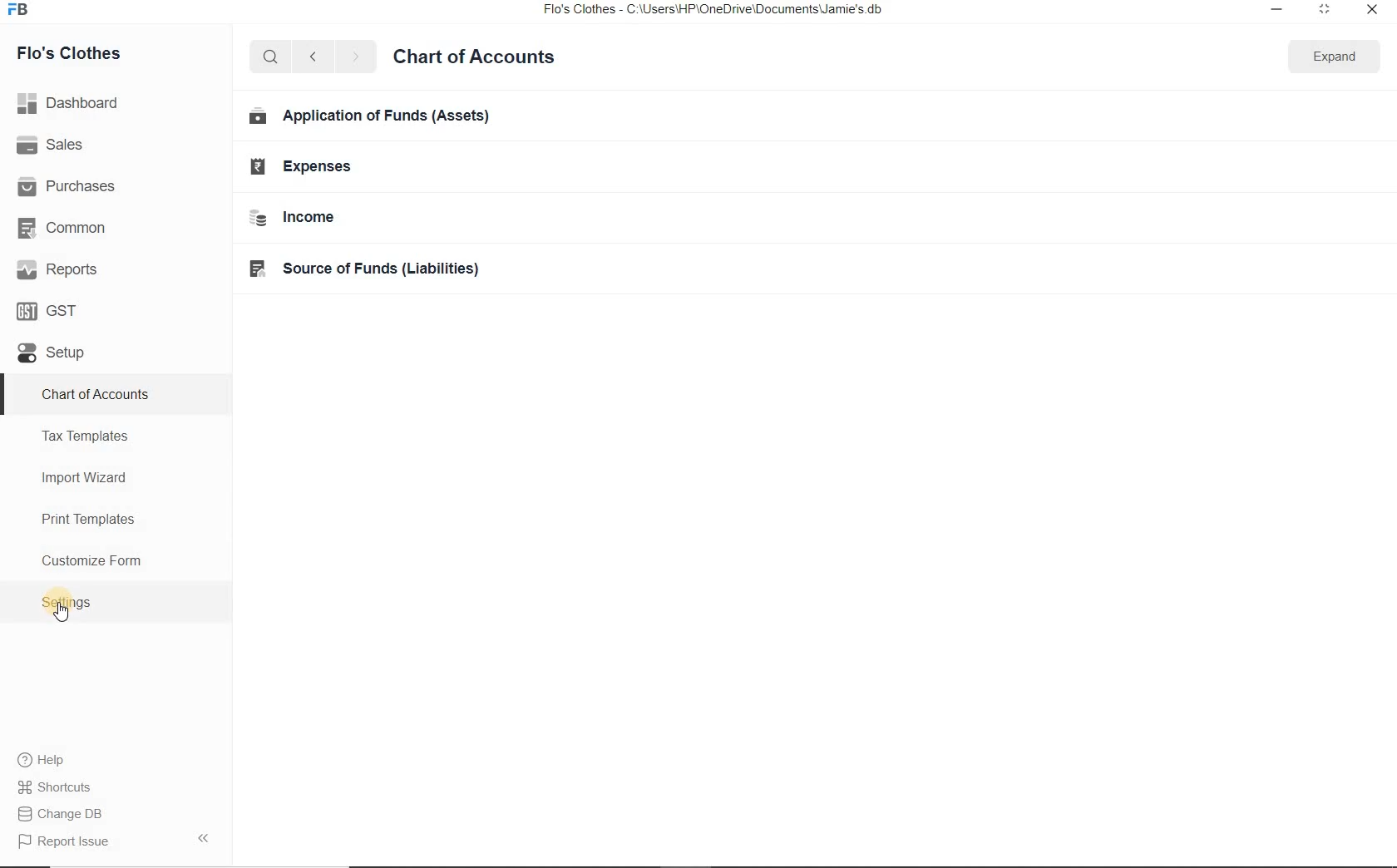 This screenshot has height=868, width=1397. What do you see at coordinates (67, 601) in the screenshot?
I see `settings` at bounding box center [67, 601].